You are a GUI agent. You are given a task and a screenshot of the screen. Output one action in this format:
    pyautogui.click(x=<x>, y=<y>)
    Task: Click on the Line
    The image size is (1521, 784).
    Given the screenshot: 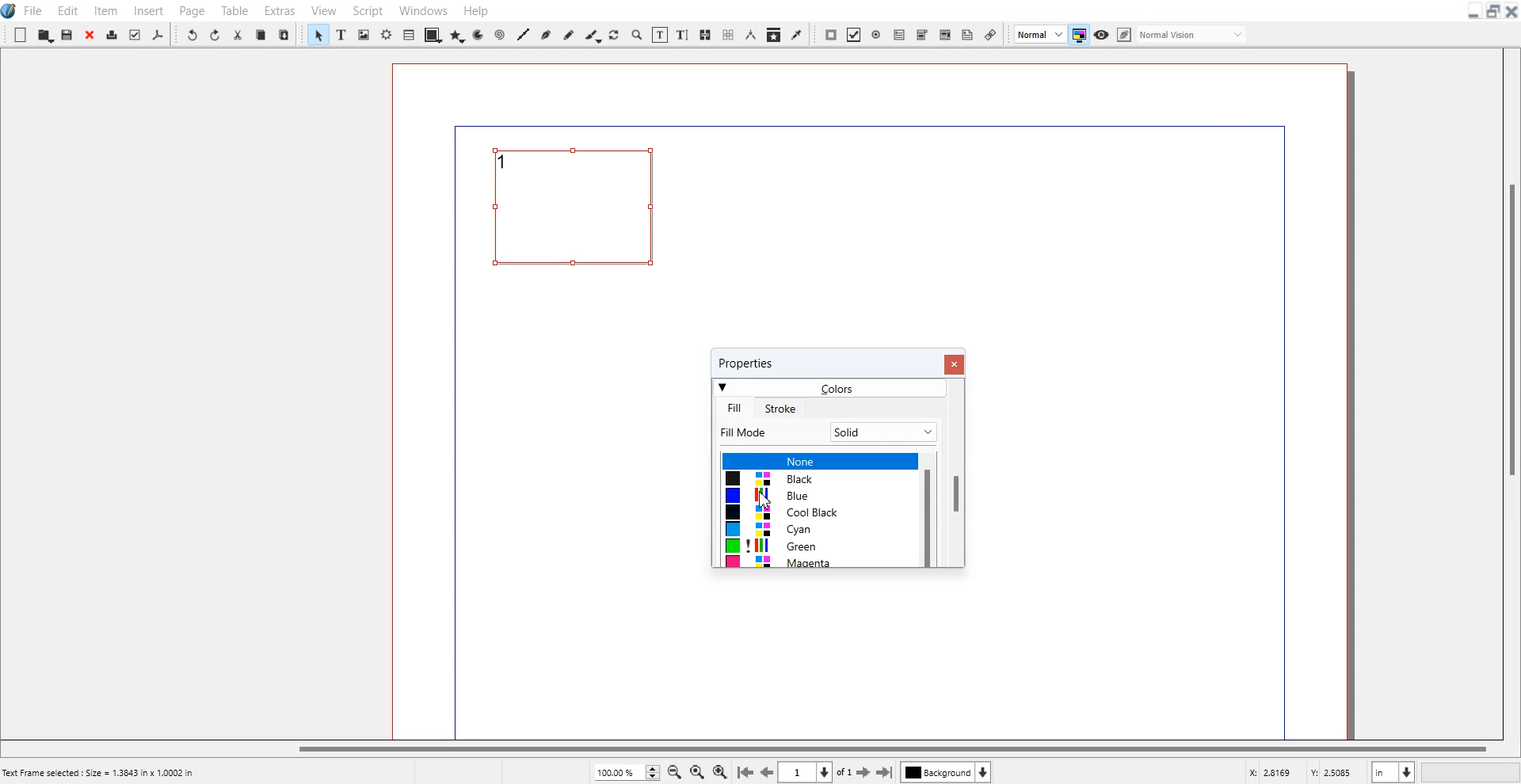 What is the action you would take?
    pyautogui.click(x=522, y=34)
    